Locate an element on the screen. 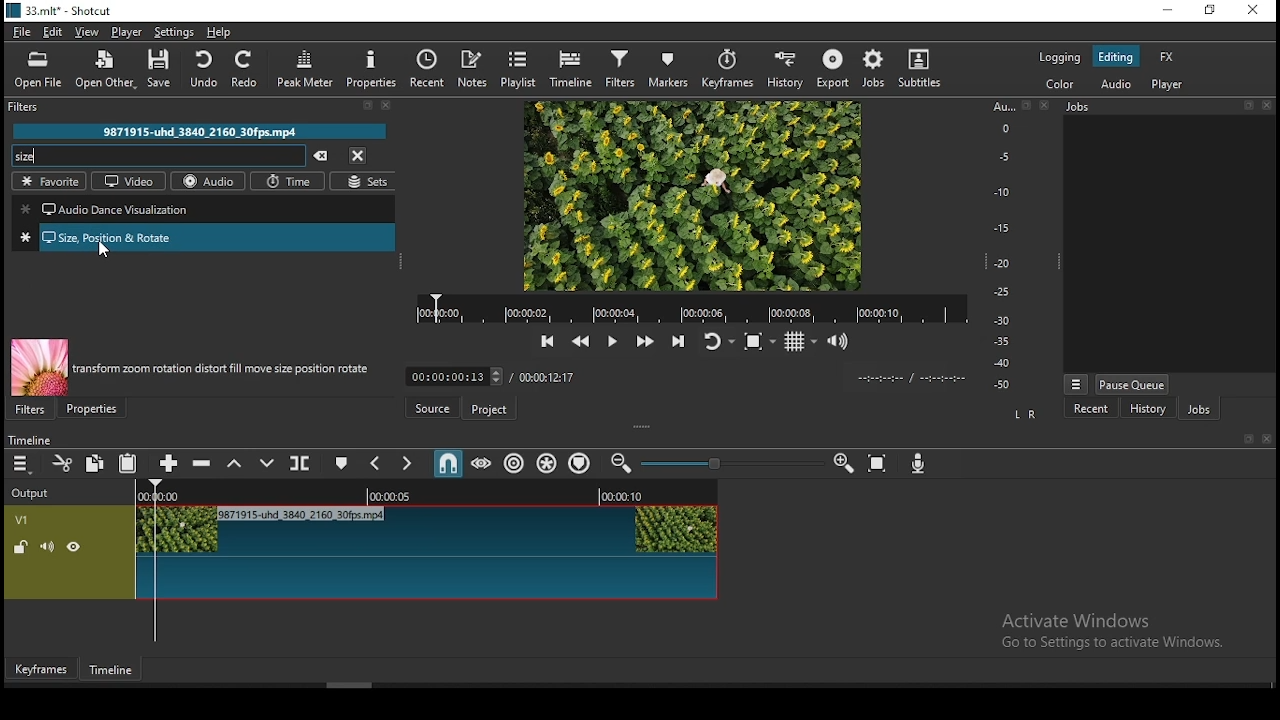 The width and height of the screenshot is (1280, 720). fx is located at coordinates (1166, 55).